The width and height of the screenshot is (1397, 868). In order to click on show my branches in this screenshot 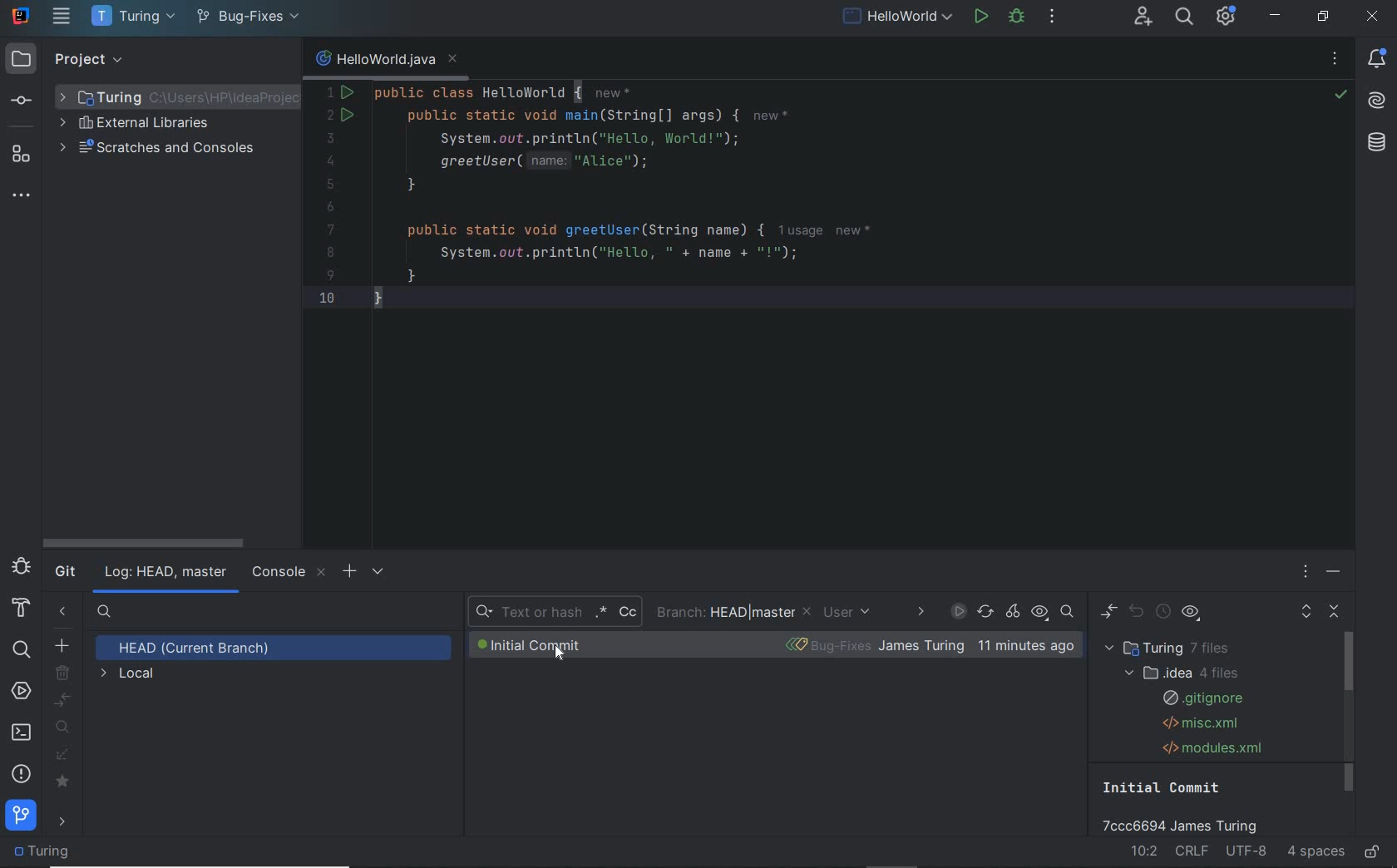, I will do `click(65, 727)`.